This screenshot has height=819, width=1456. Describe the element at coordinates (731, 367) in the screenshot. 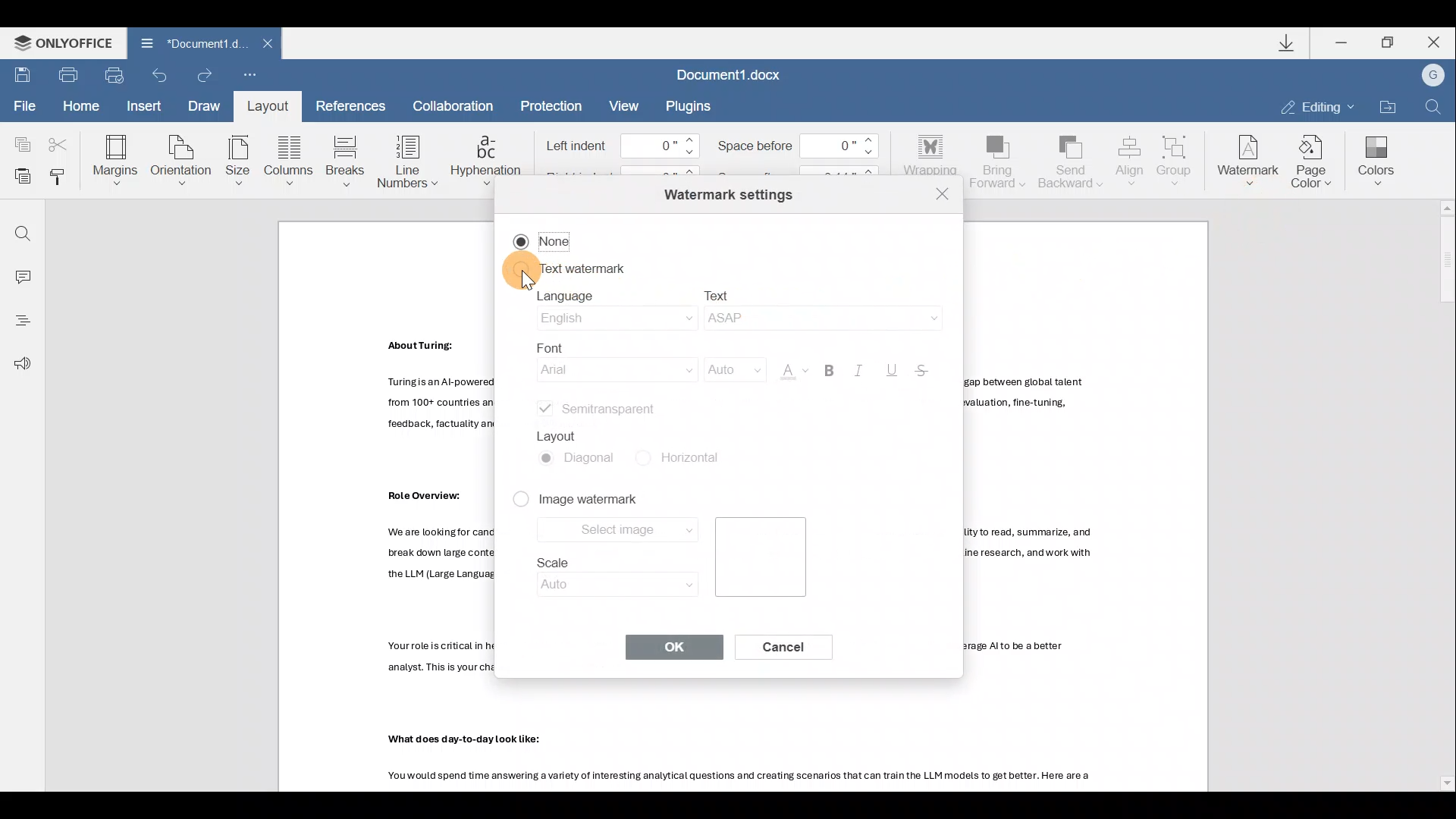

I see `Font size` at that location.